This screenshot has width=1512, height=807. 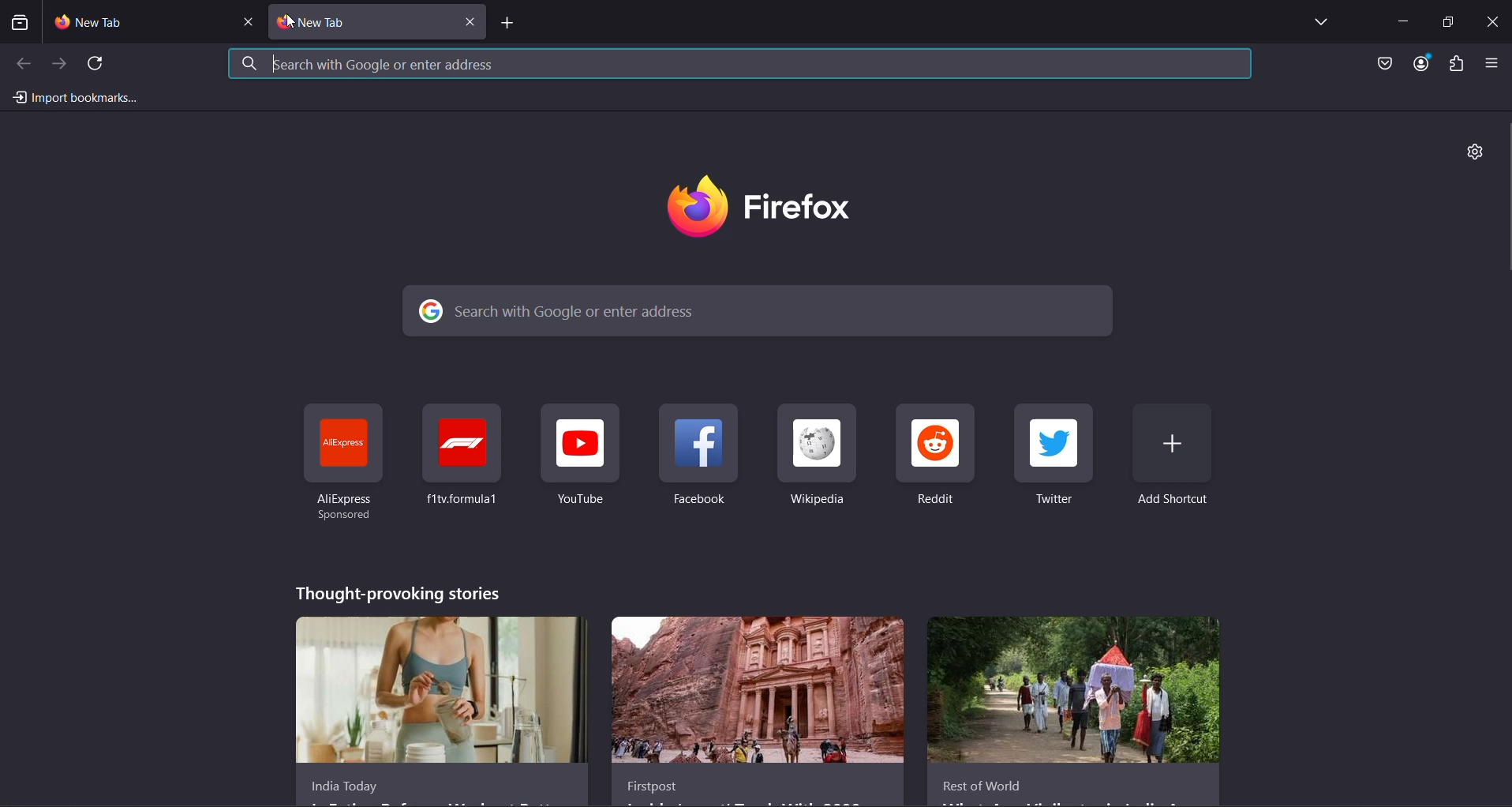 What do you see at coordinates (1507, 196) in the screenshot?
I see `scroll bar` at bounding box center [1507, 196].